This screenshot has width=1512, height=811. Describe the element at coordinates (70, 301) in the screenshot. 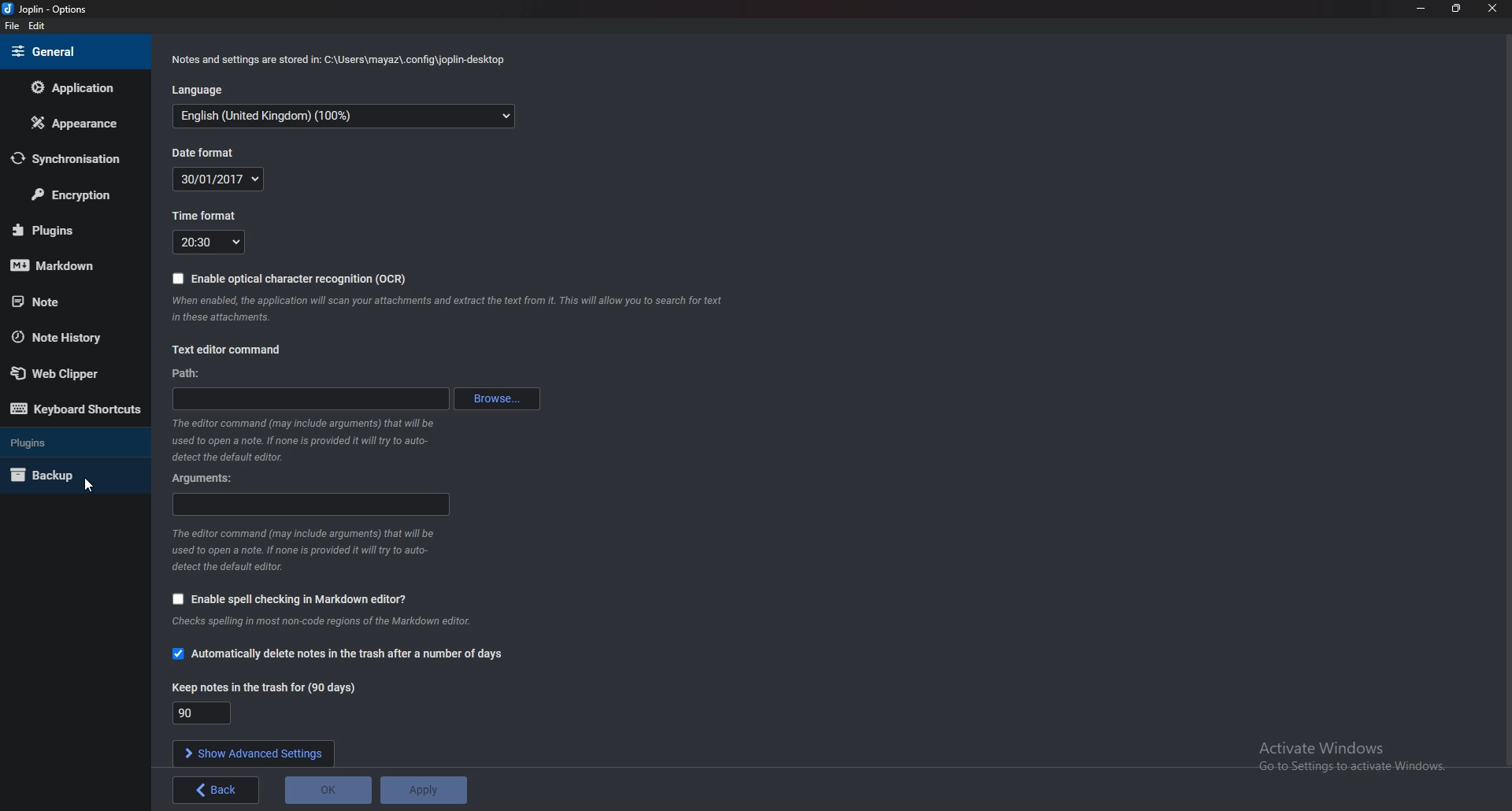

I see `note` at that location.